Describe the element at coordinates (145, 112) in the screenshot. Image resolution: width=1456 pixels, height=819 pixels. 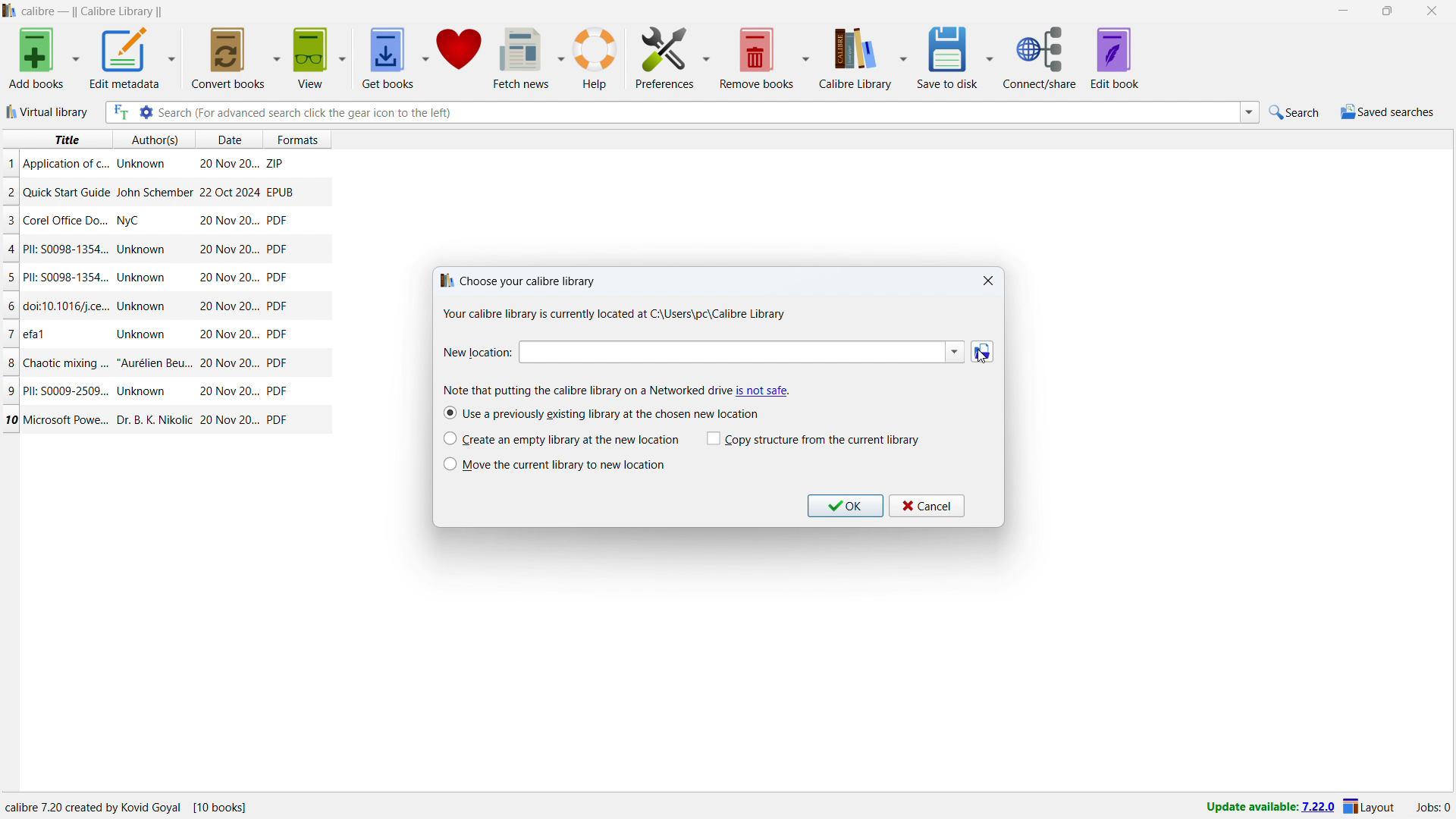
I see `advanced search` at that location.